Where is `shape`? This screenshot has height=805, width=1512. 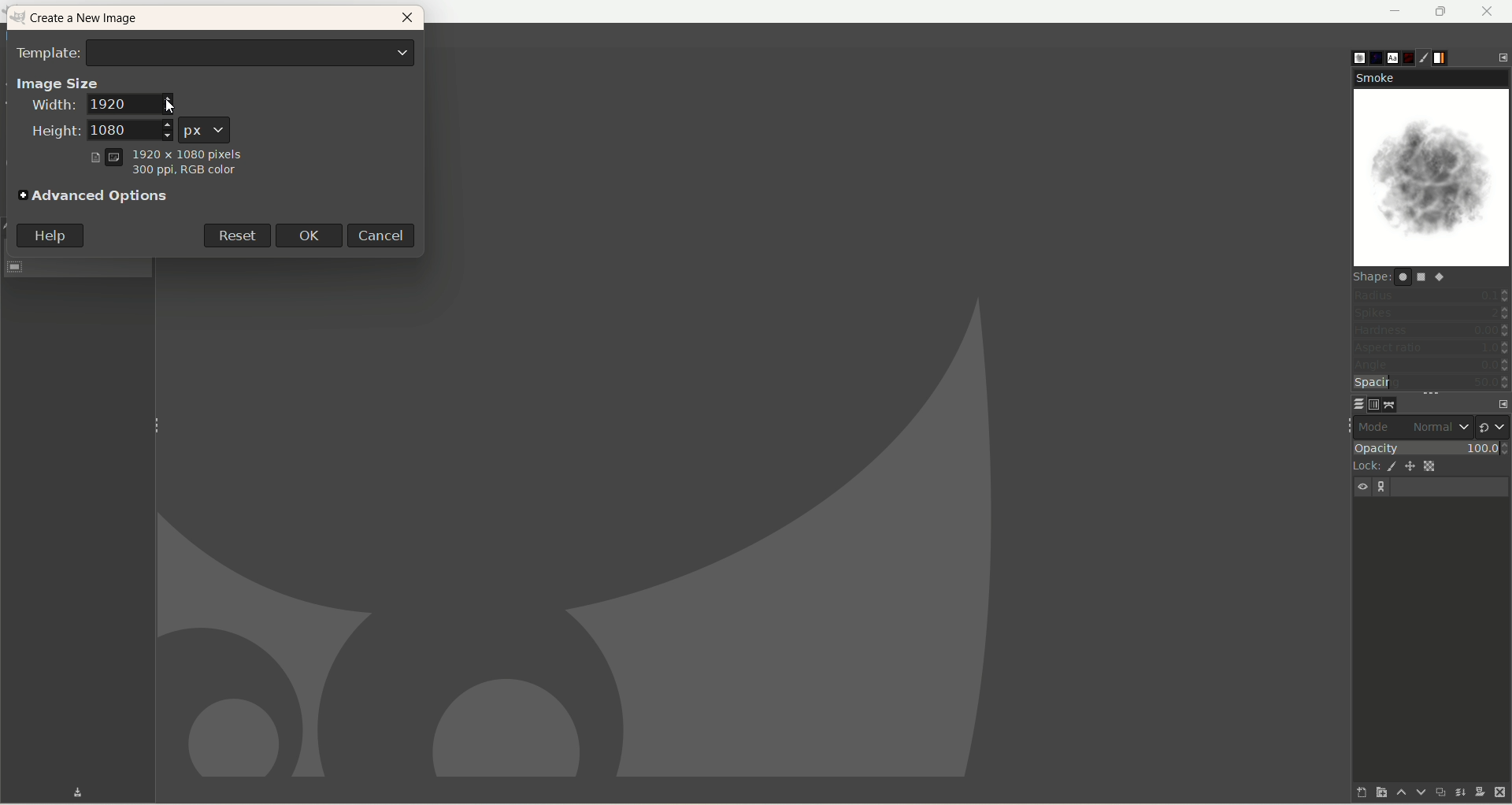
shape is located at coordinates (1407, 276).